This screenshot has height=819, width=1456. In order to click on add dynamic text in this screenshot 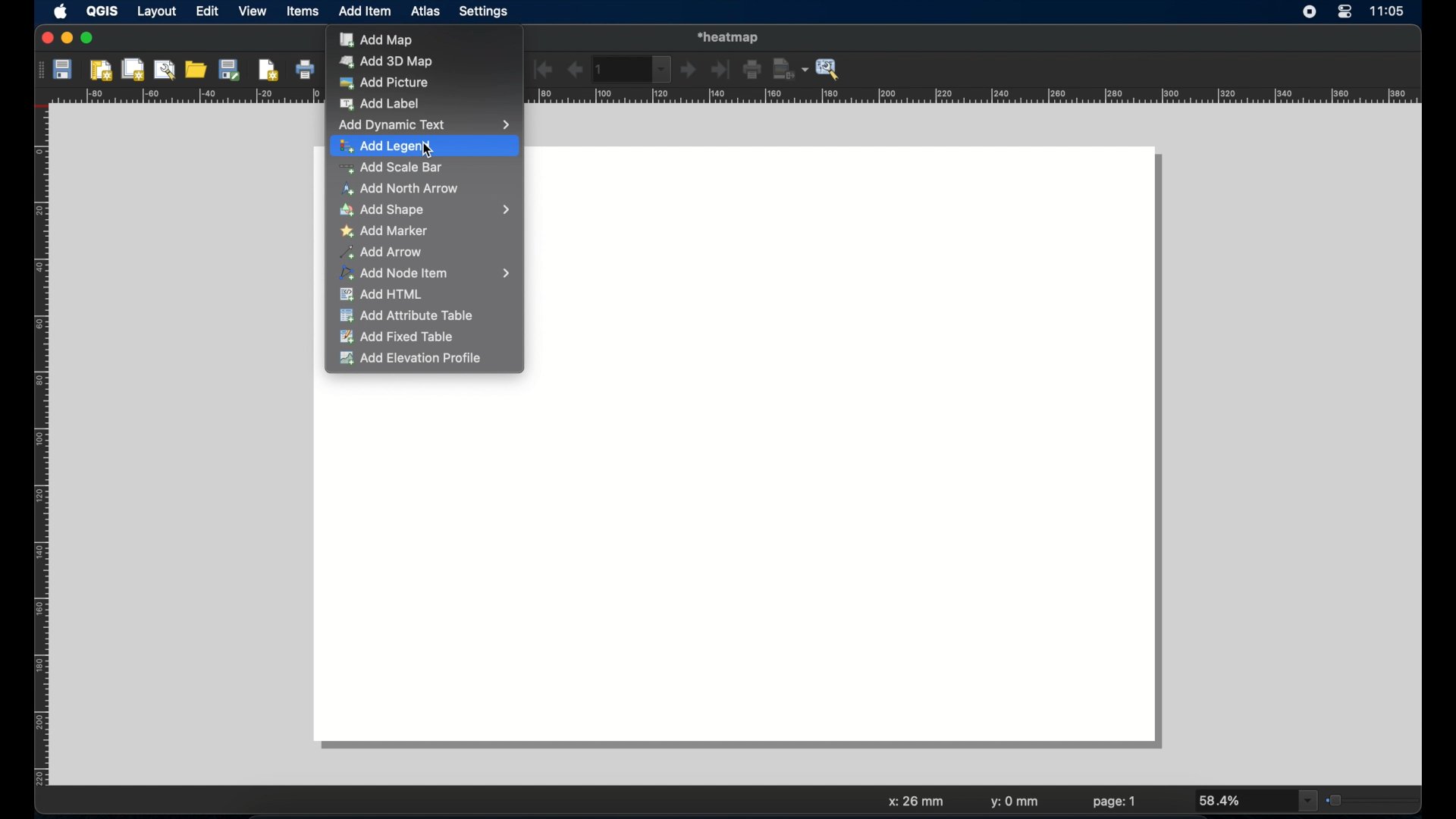, I will do `click(424, 124)`.